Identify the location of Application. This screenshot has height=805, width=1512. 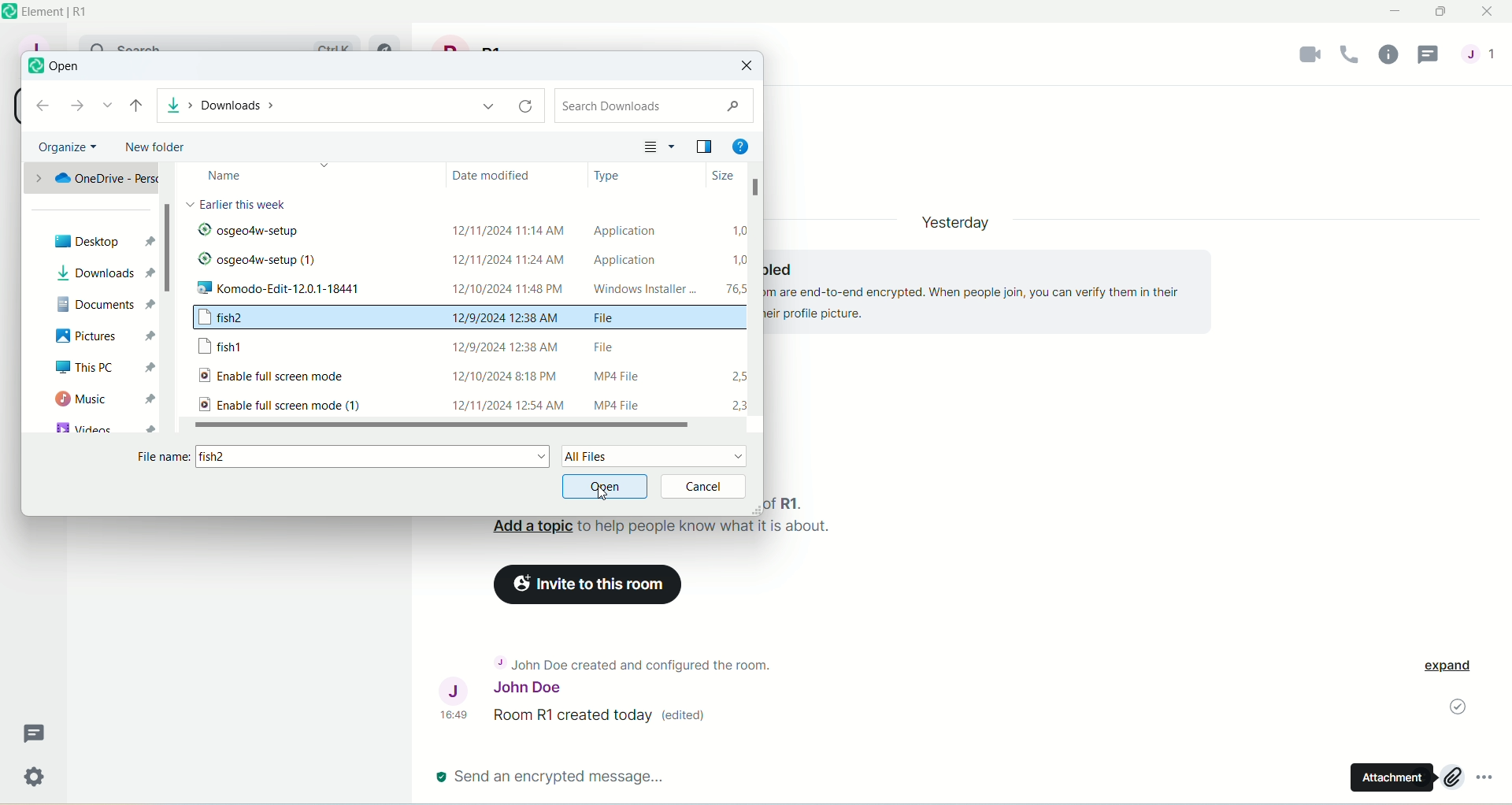
(624, 259).